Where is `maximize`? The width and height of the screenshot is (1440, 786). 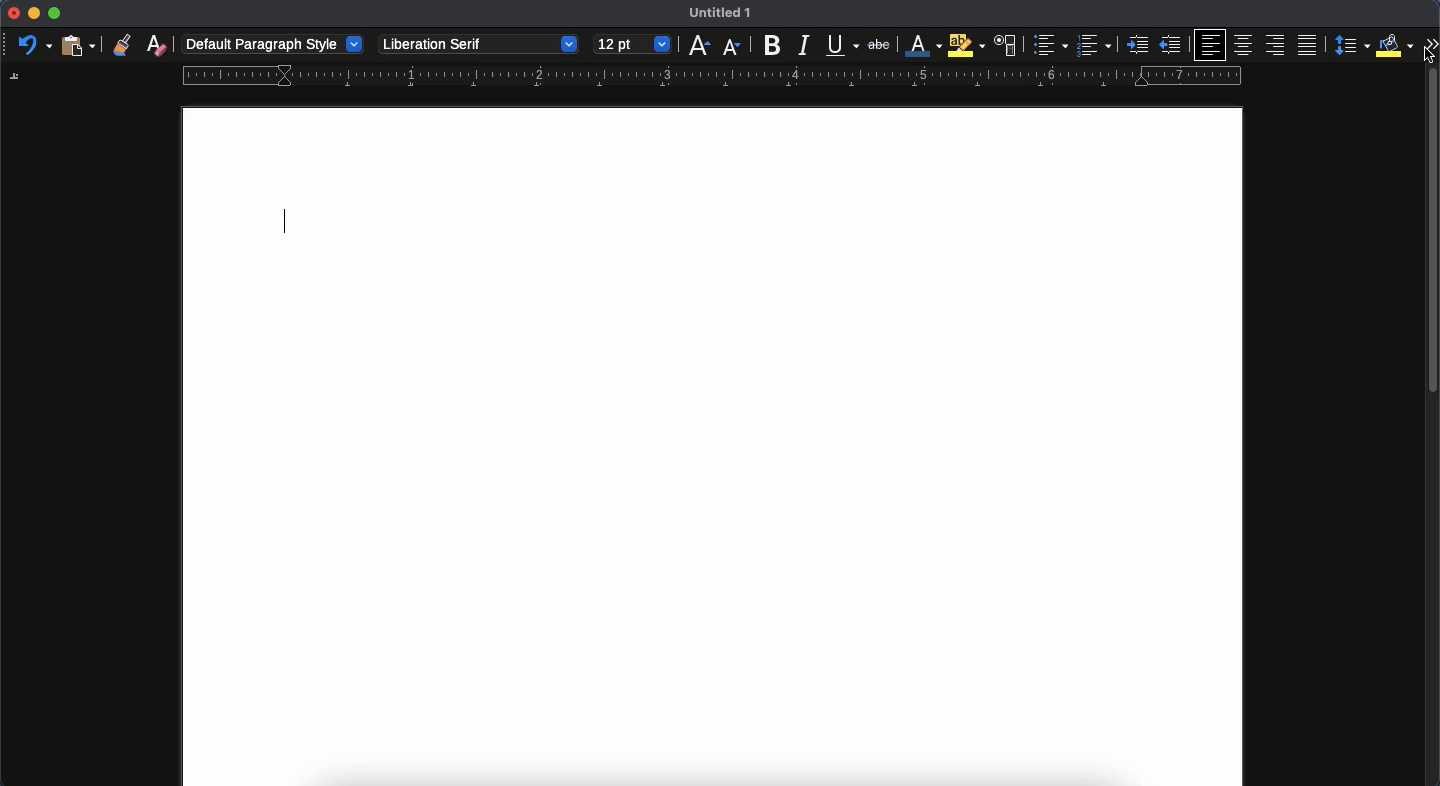 maximize is located at coordinates (56, 12).